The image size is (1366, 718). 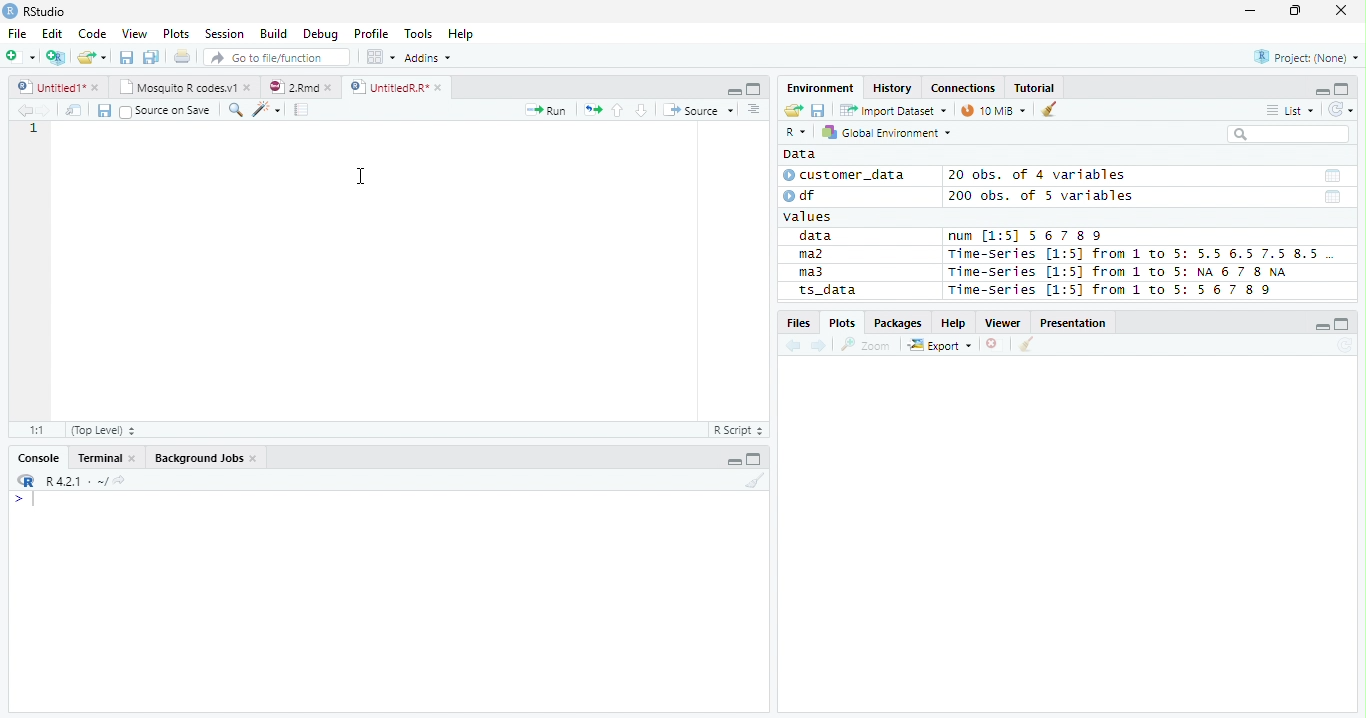 I want to click on Compile Report, so click(x=302, y=110).